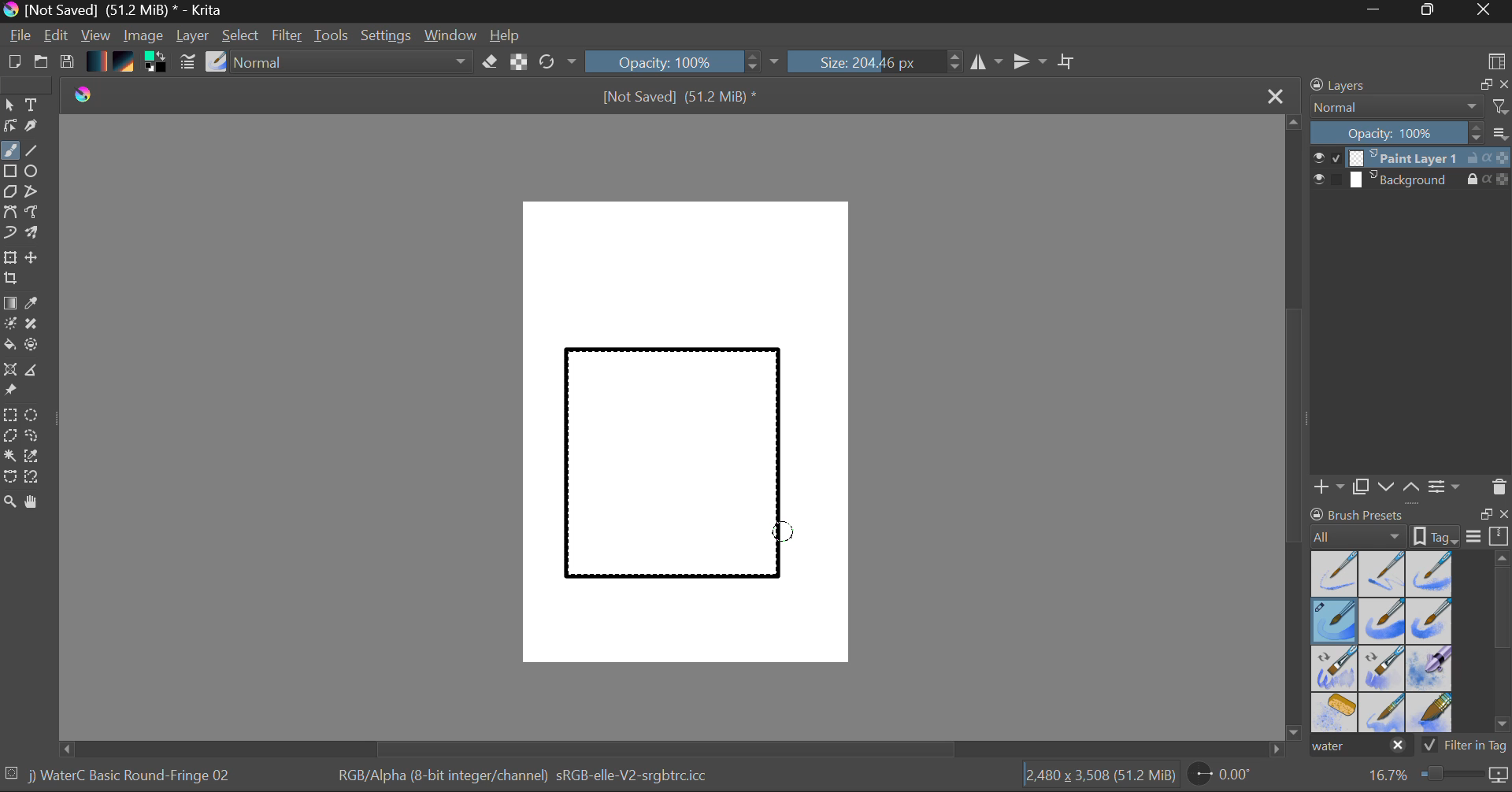  Describe the element at coordinates (1432, 713) in the screenshot. I see `Water C - Wide Area` at that location.